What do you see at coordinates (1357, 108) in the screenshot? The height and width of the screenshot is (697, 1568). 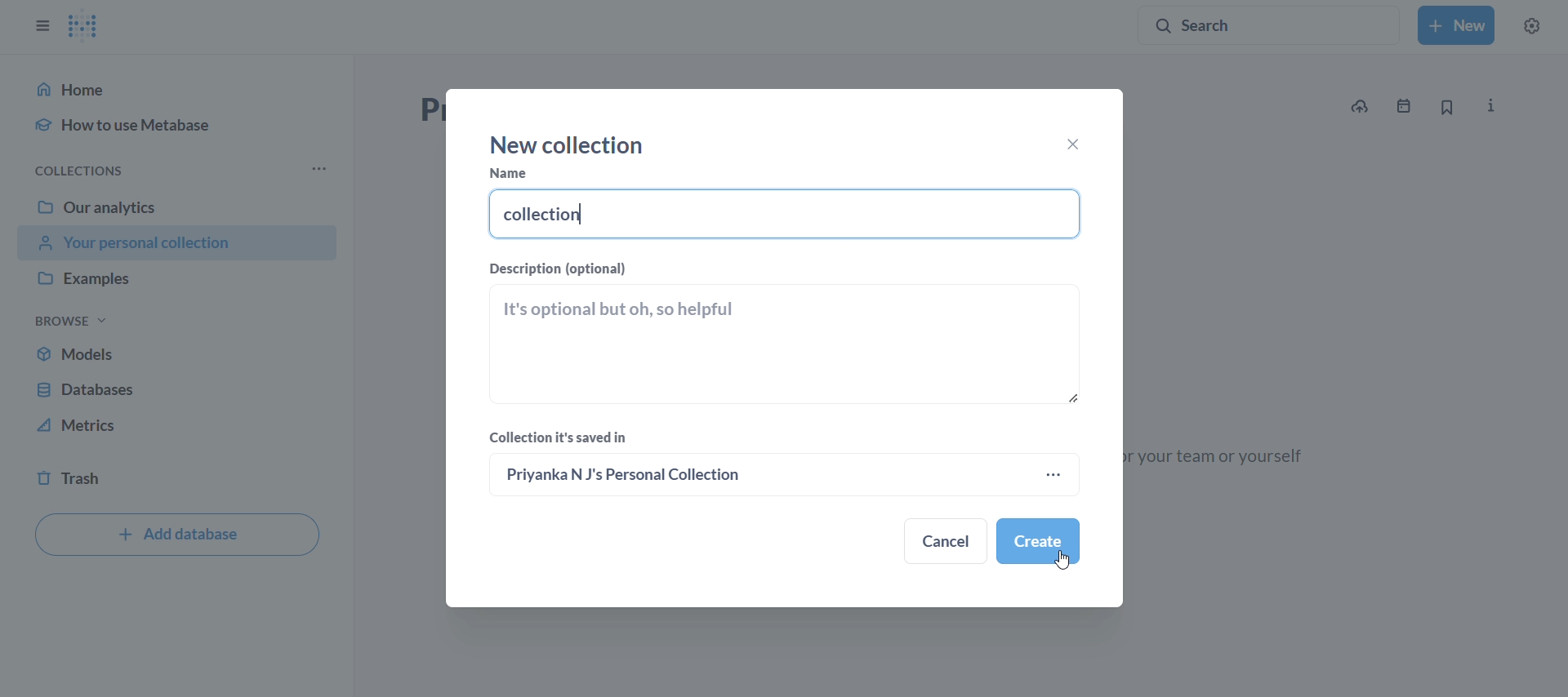 I see `upload data to new collecting` at bounding box center [1357, 108].